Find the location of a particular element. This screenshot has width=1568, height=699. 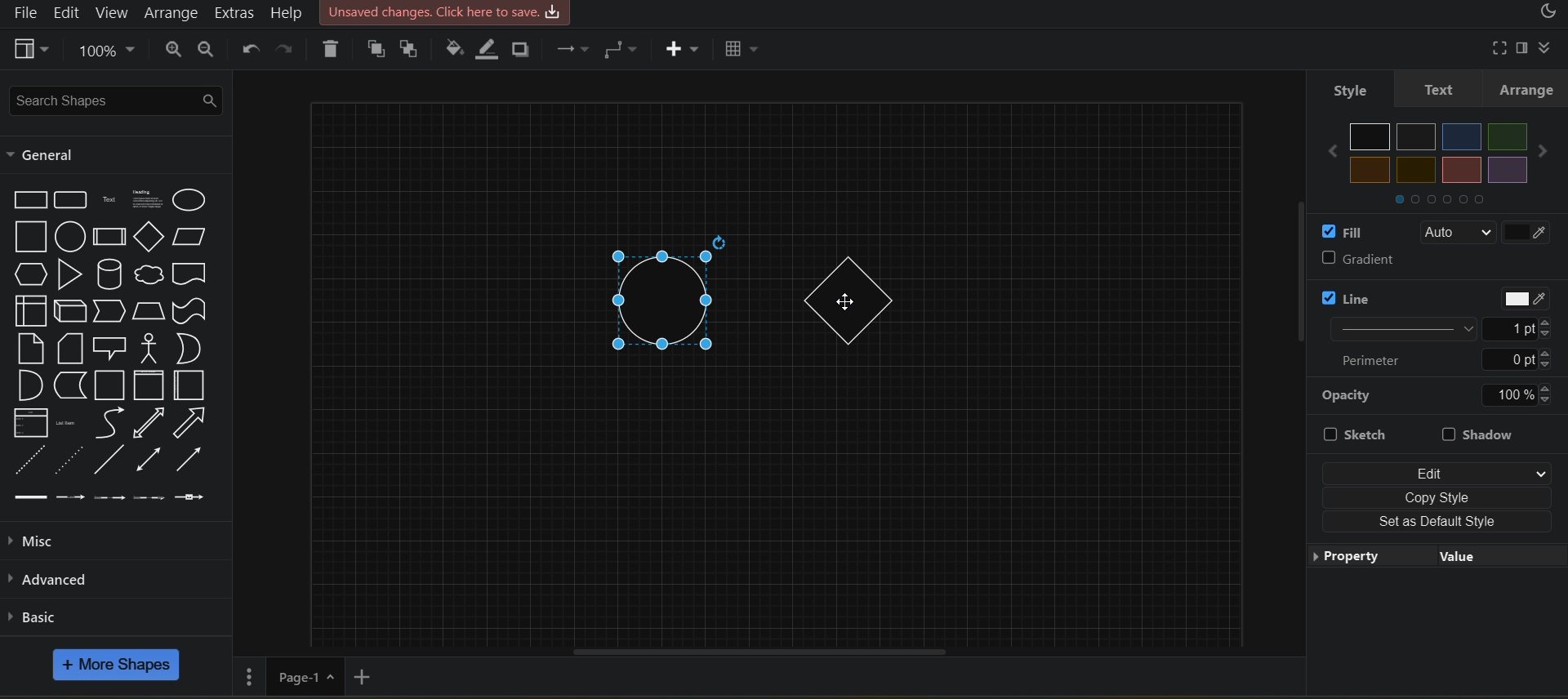

add new page is located at coordinates (367, 679).